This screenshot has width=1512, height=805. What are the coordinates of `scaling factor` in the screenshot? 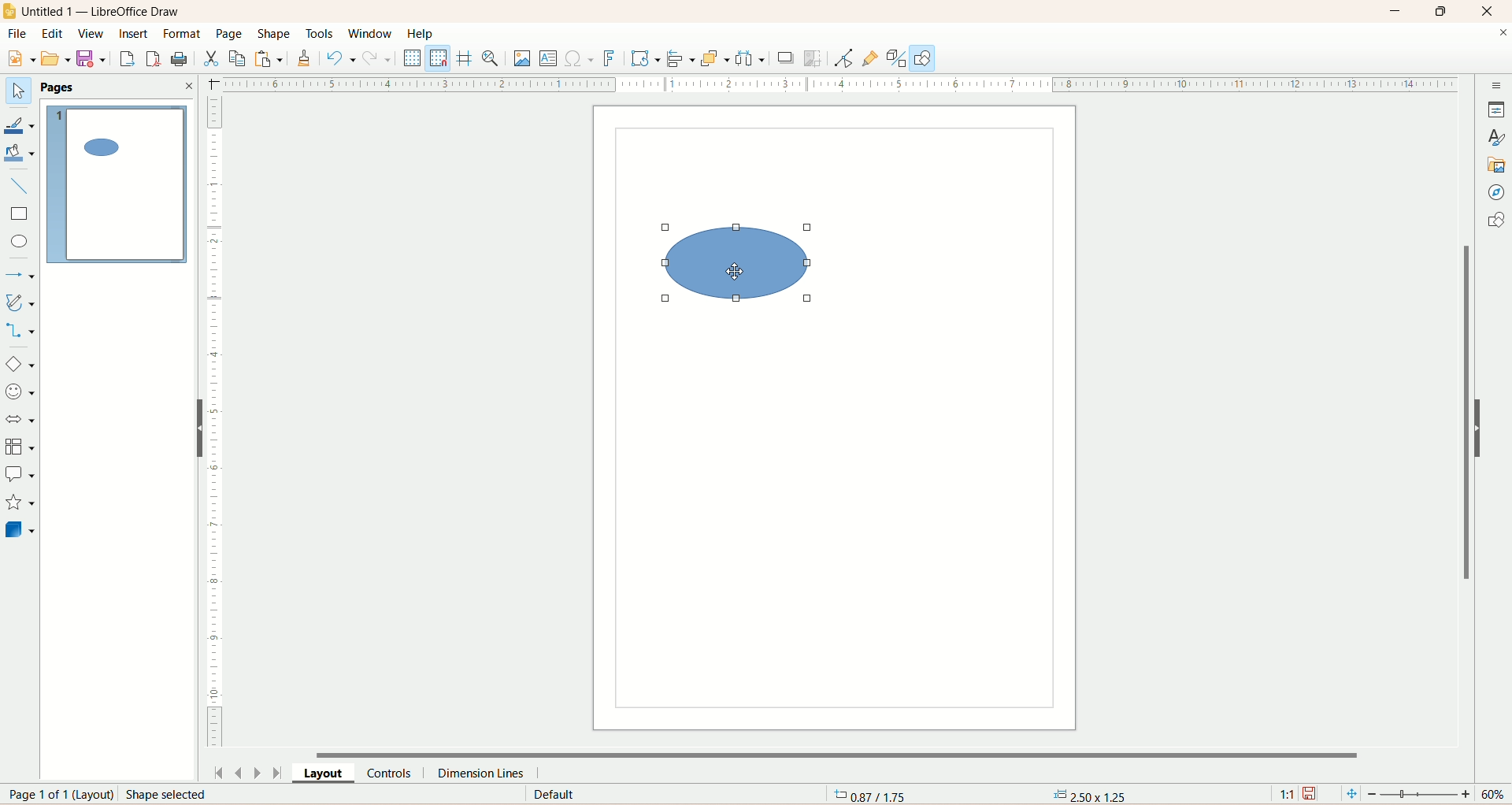 It's located at (1289, 792).